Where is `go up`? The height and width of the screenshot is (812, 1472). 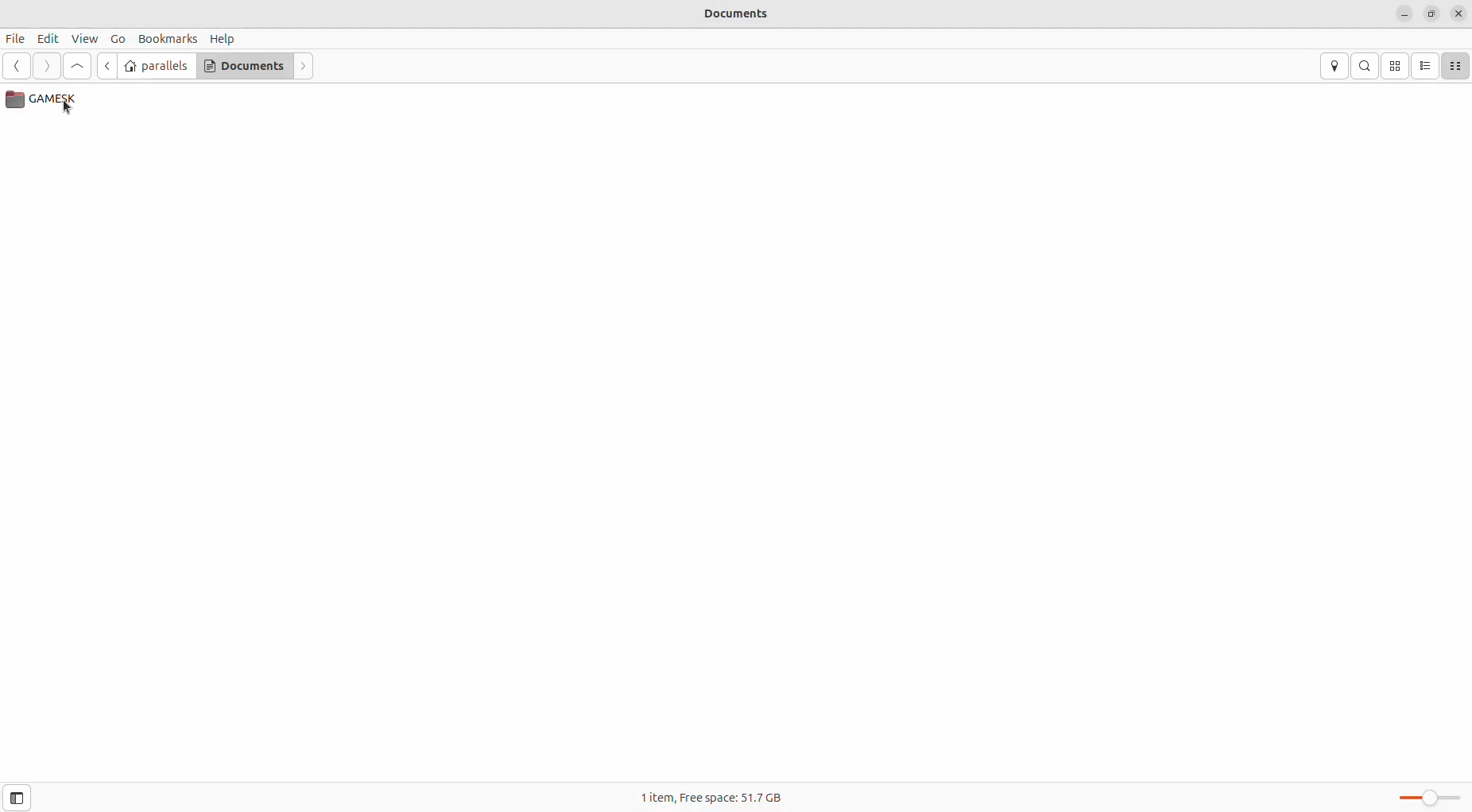
go up is located at coordinates (79, 66).